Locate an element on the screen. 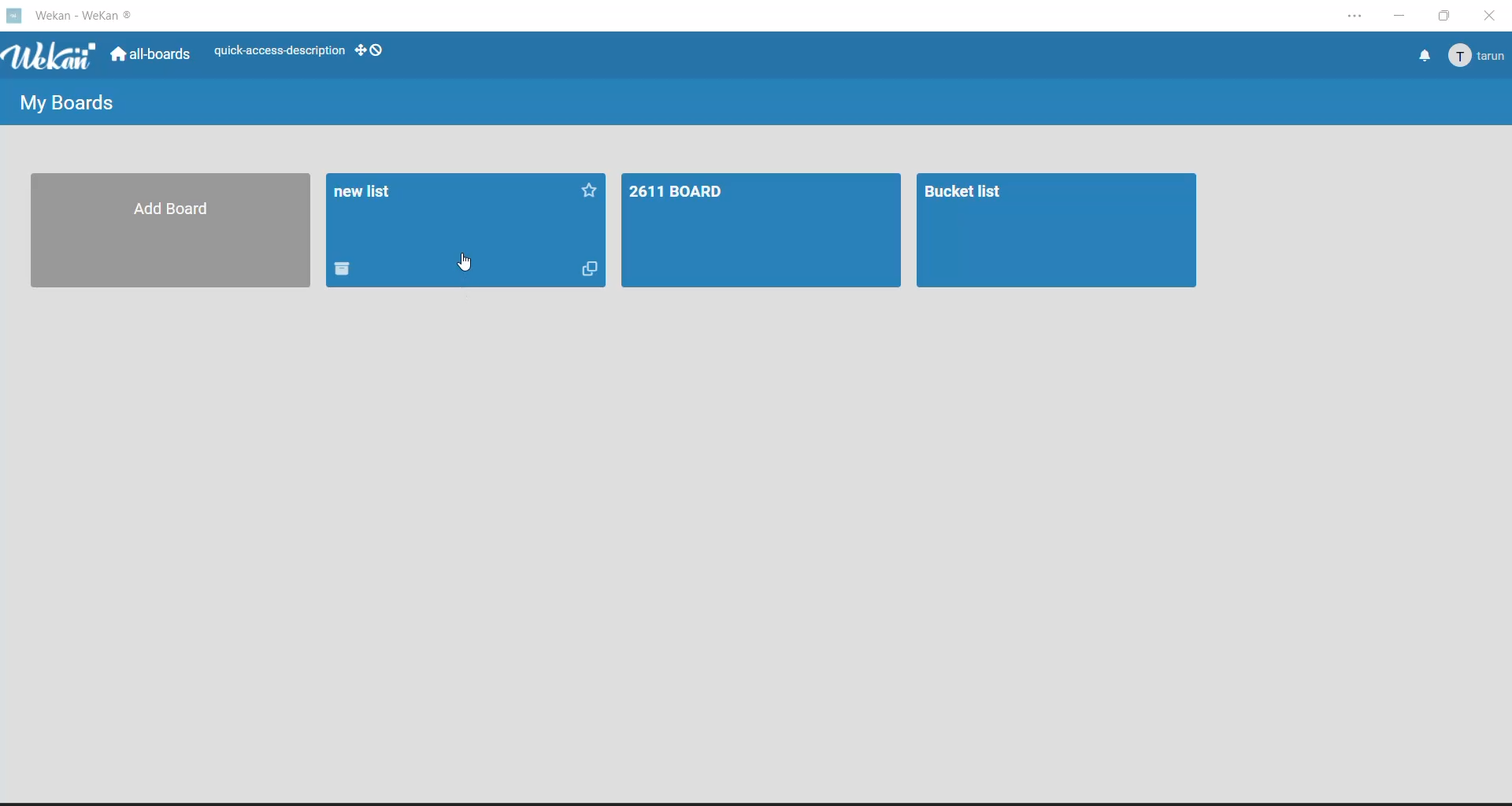  2611 BOARD is located at coordinates (762, 231).